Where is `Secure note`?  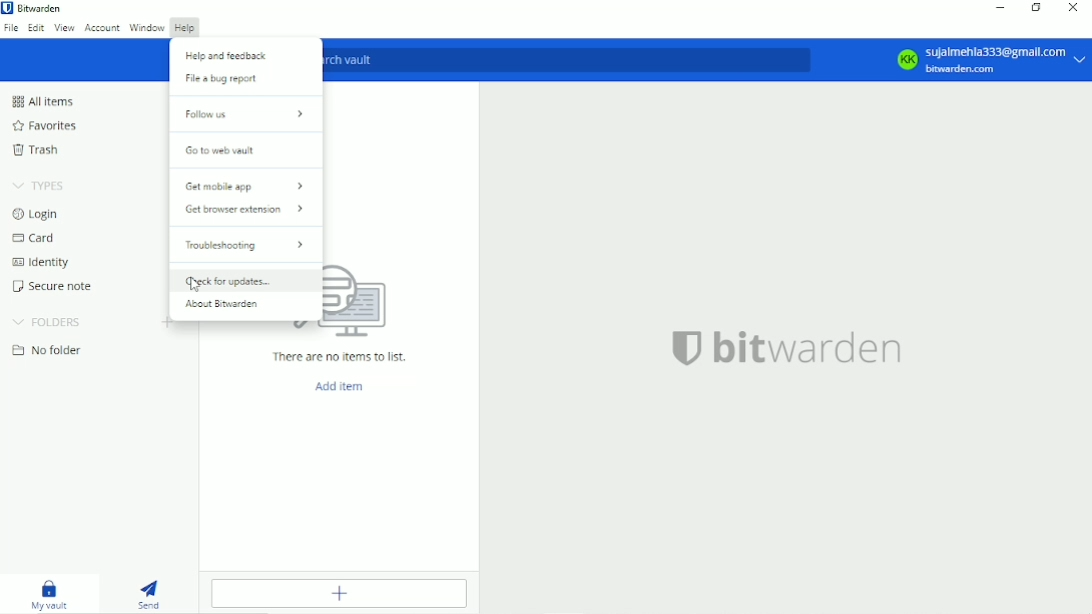 Secure note is located at coordinates (52, 286).